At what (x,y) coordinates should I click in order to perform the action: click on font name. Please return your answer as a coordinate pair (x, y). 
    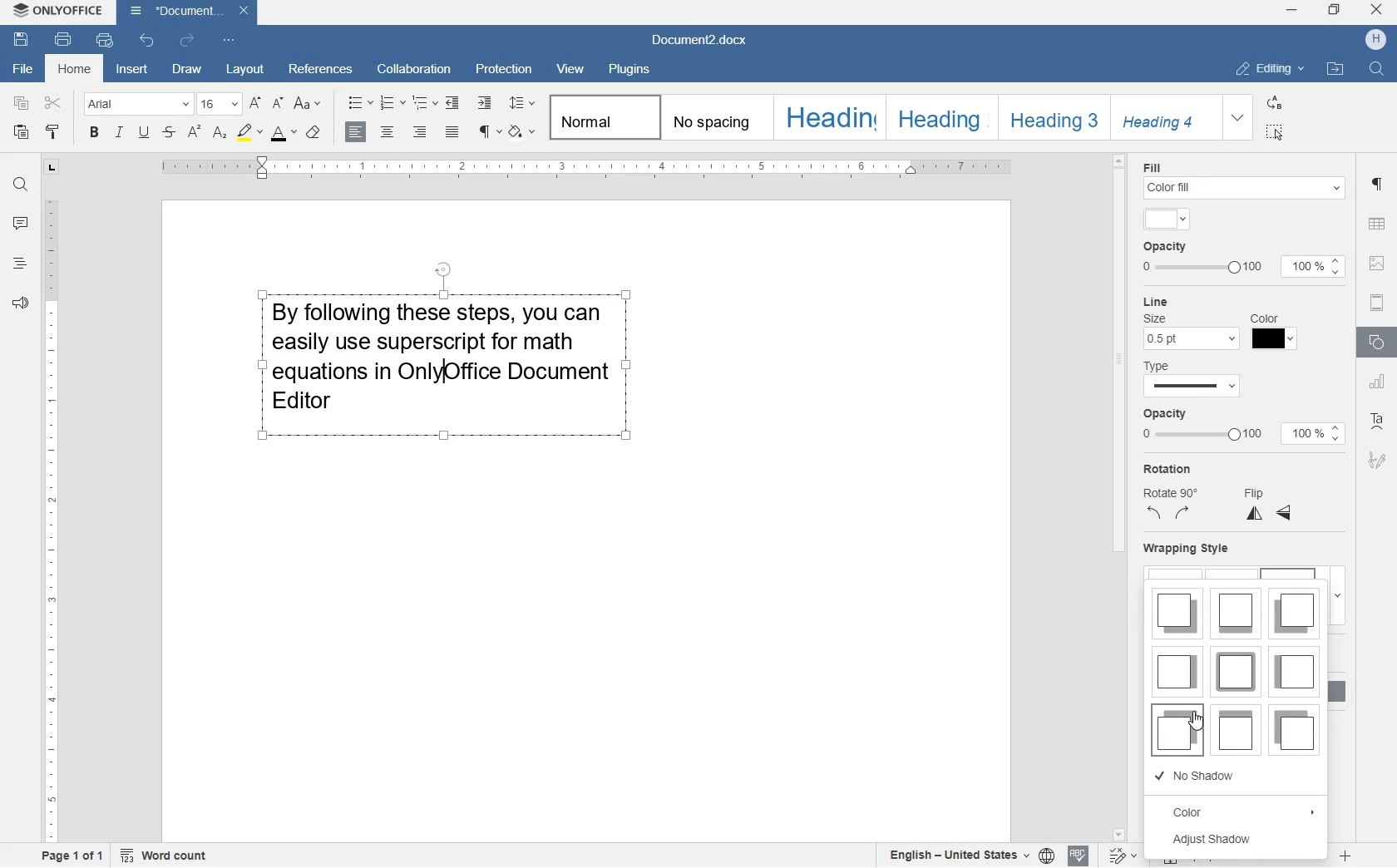
    Looking at the image, I should click on (135, 103).